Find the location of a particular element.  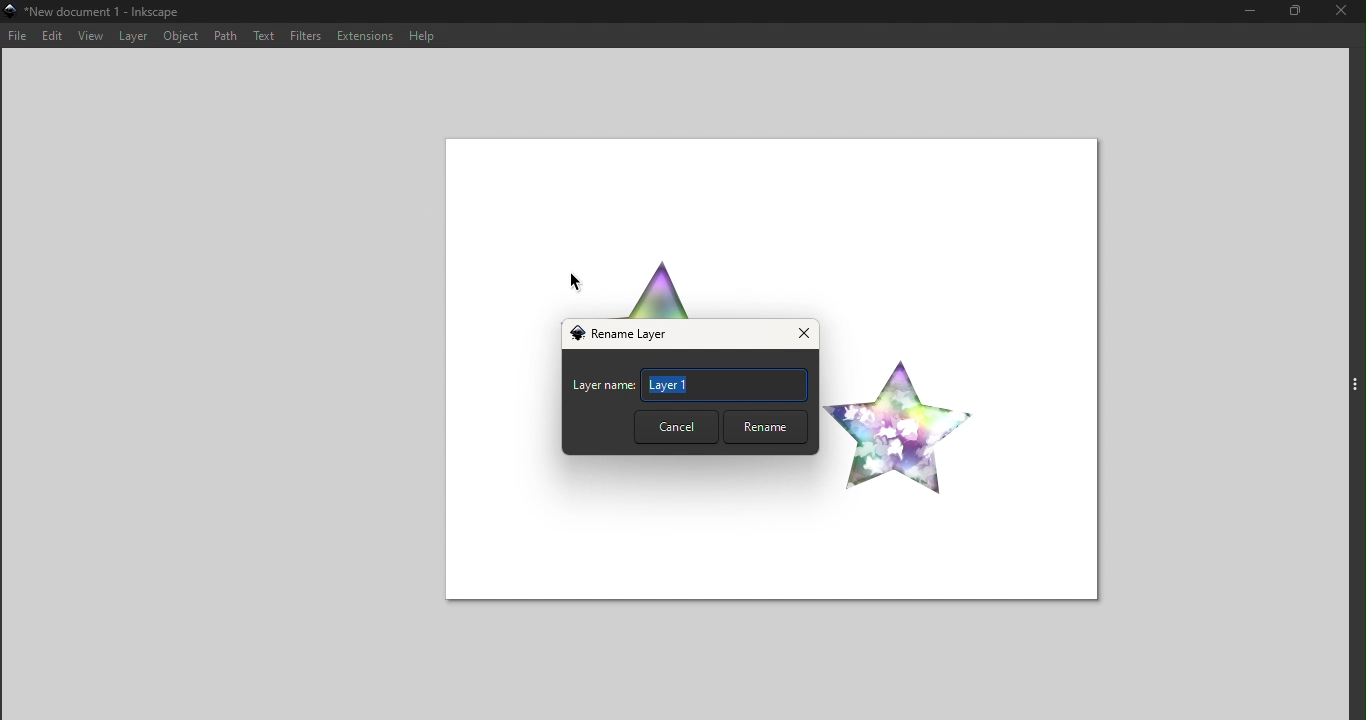

Toggle command layer is located at coordinates (1355, 381).